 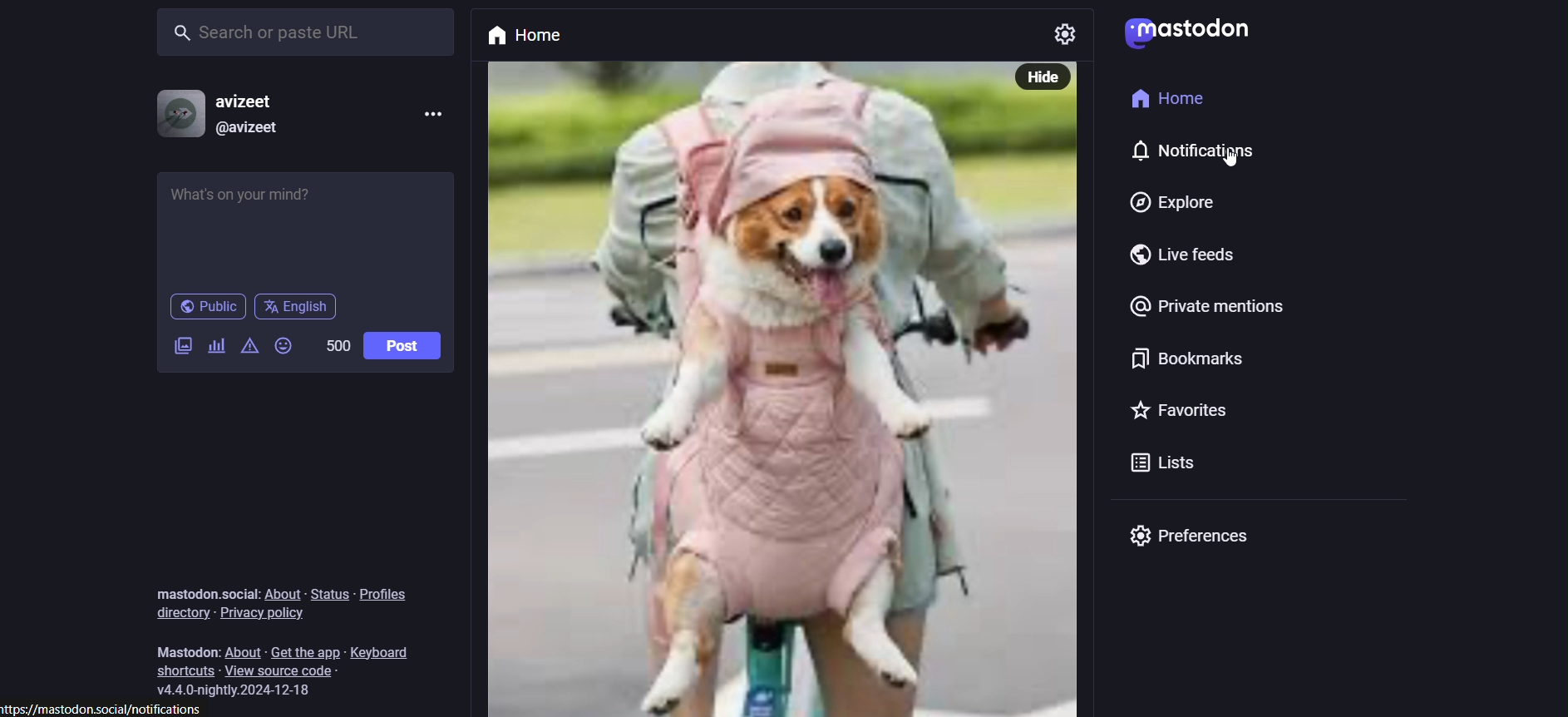 I want to click on word limit, so click(x=338, y=344).